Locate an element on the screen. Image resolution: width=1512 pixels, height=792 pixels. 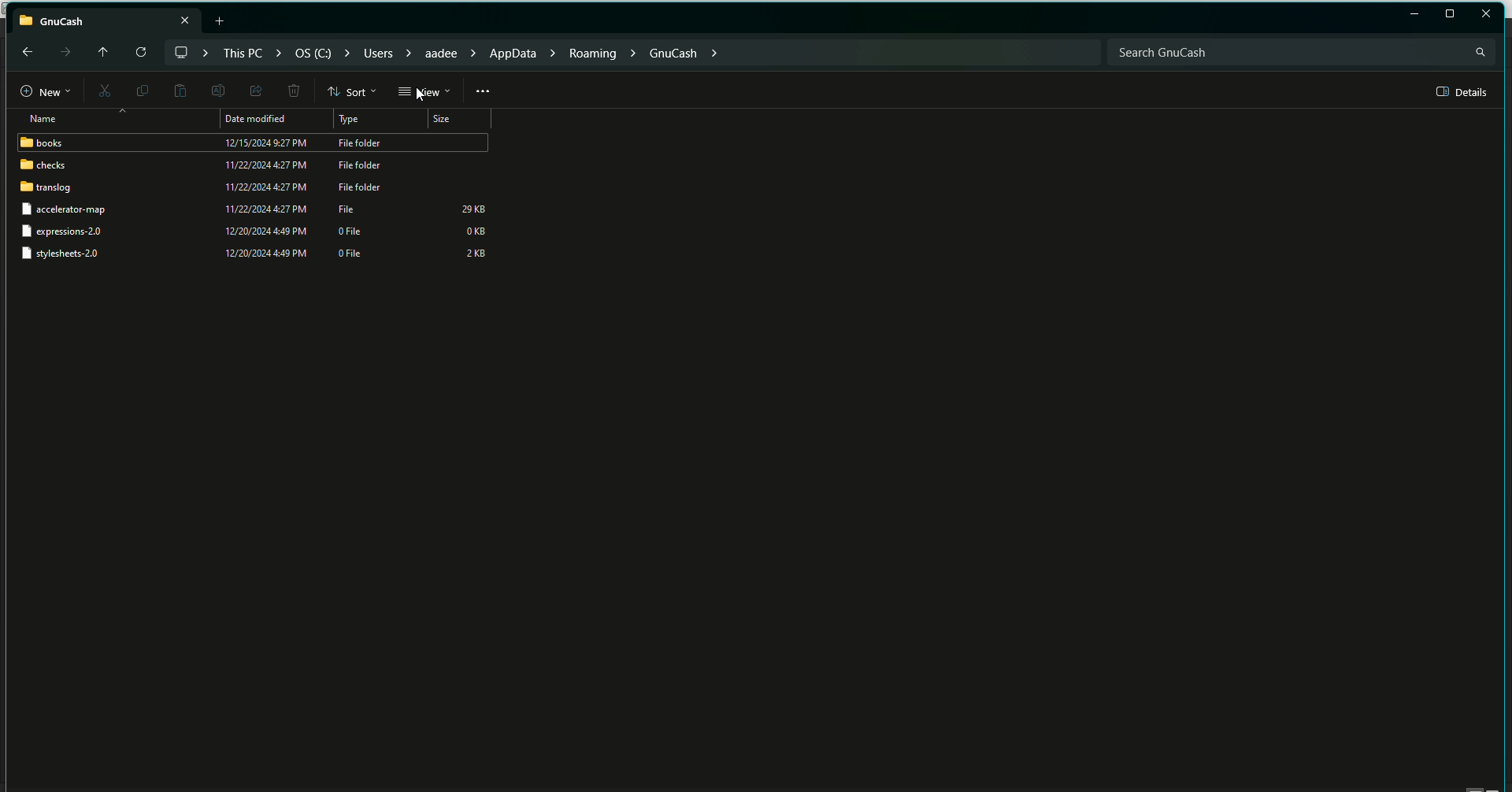
back is located at coordinates (25, 51).